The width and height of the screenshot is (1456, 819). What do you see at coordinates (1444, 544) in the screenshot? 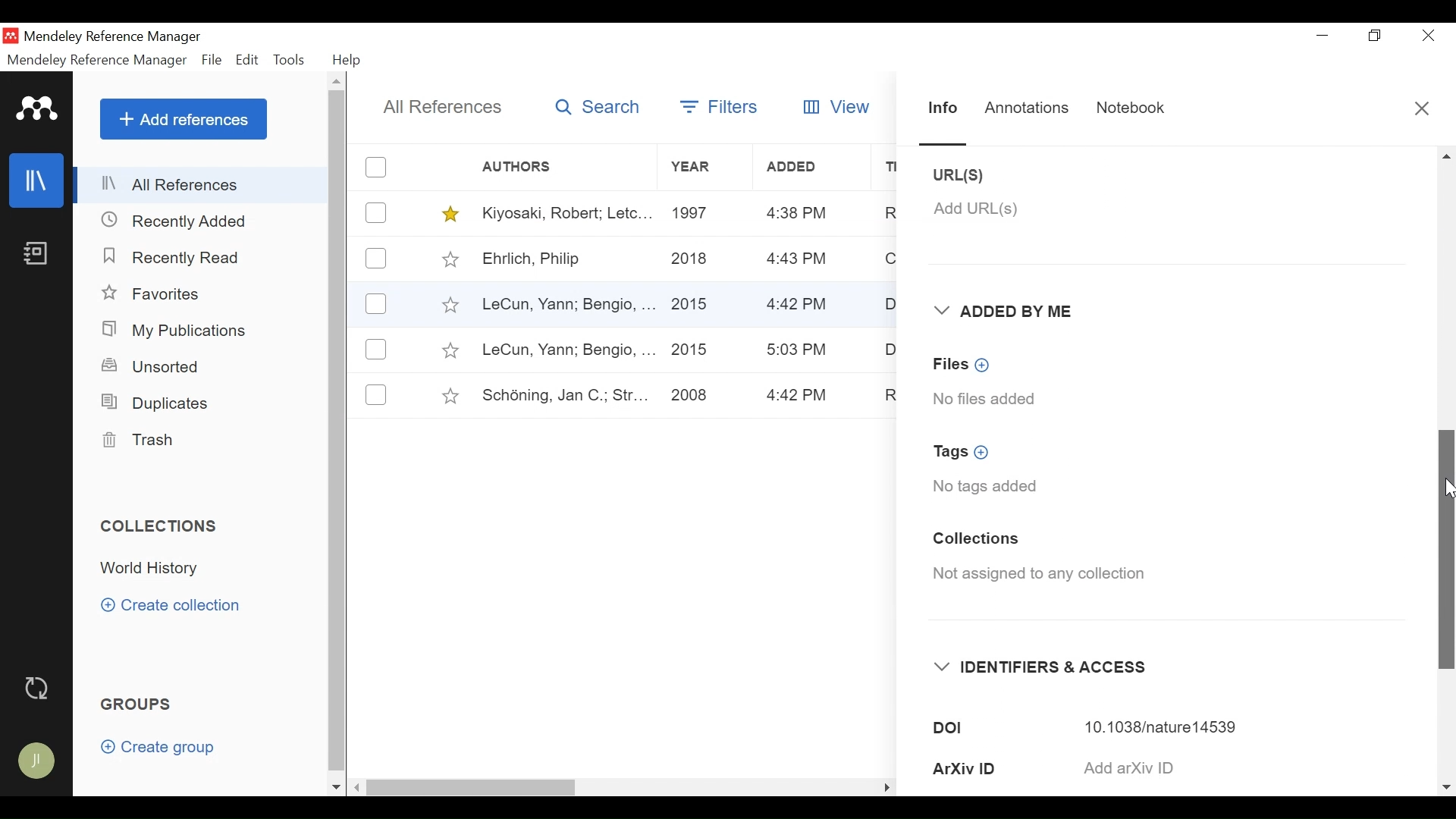
I see `Vertical Scroll bar` at bounding box center [1444, 544].